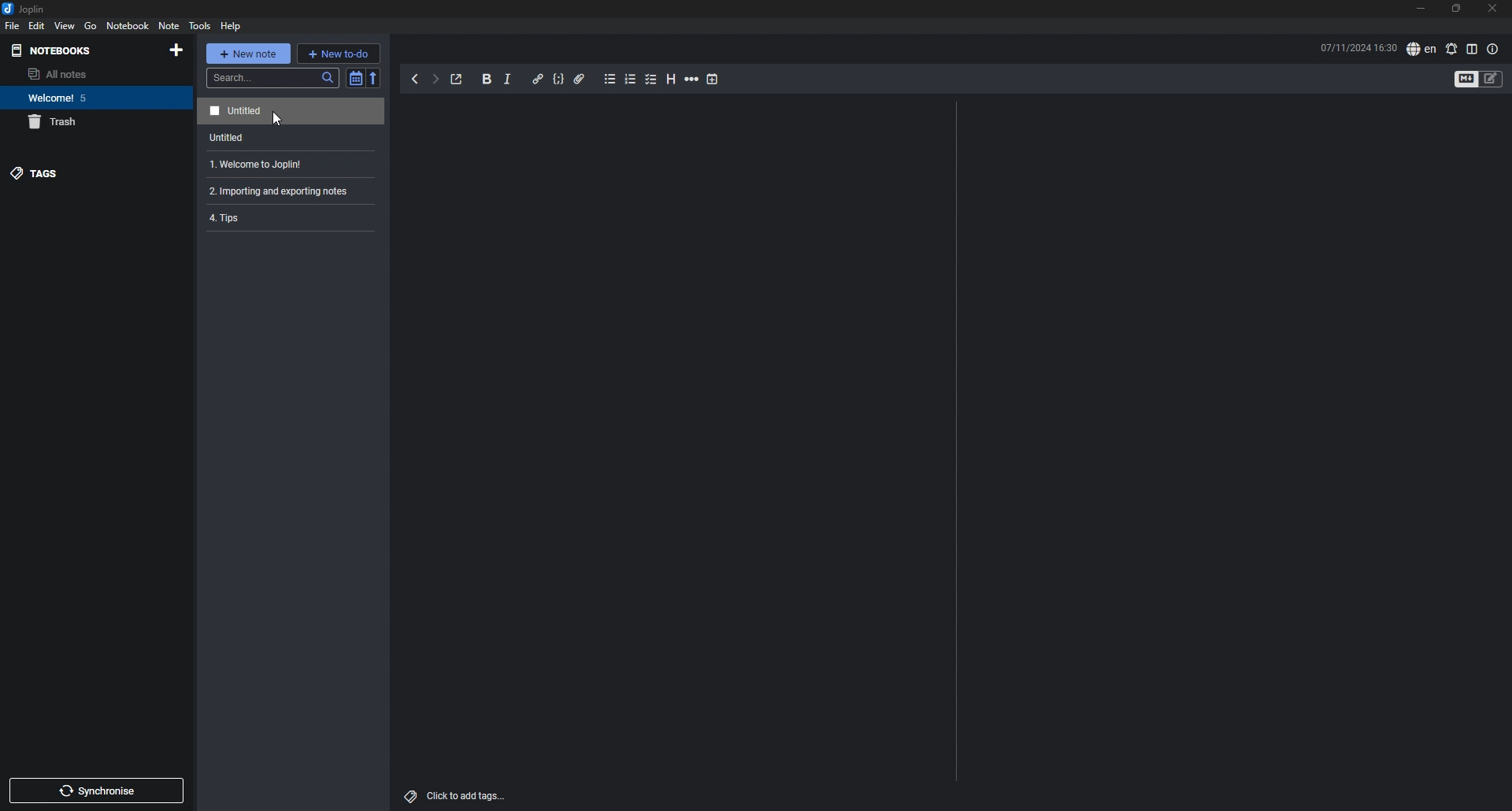 The image size is (1512, 811). What do you see at coordinates (537, 78) in the screenshot?
I see `hyperlink` at bounding box center [537, 78].